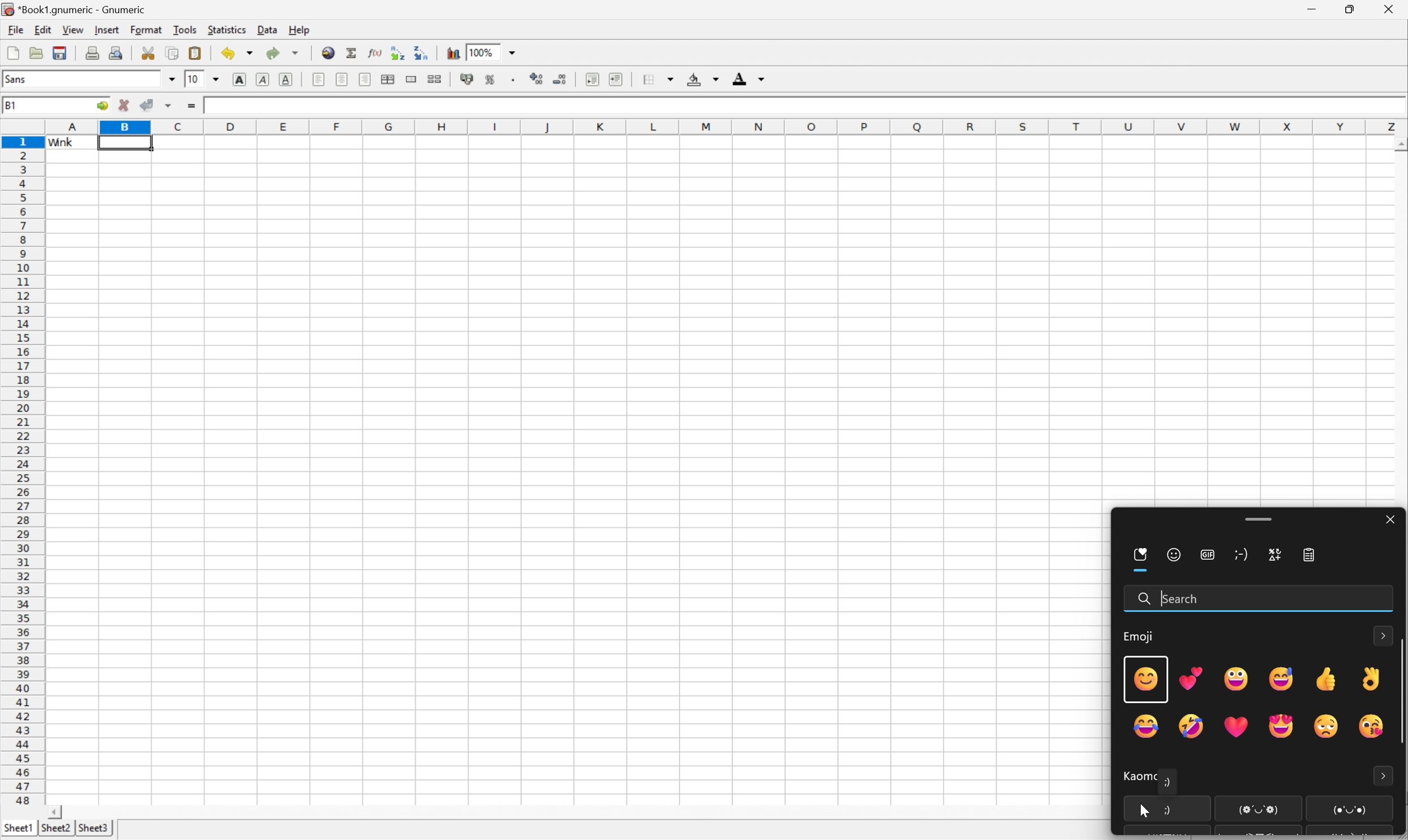 The width and height of the screenshot is (1408, 840). I want to click on kaomoji, so click(1136, 779).